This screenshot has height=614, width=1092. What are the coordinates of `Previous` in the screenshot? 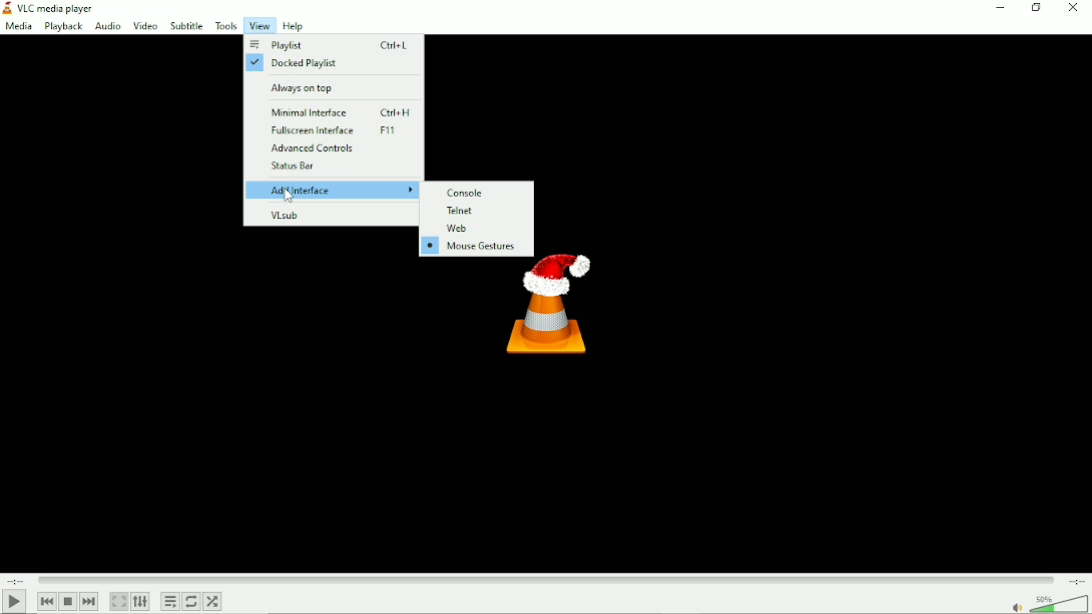 It's located at (47, 601).